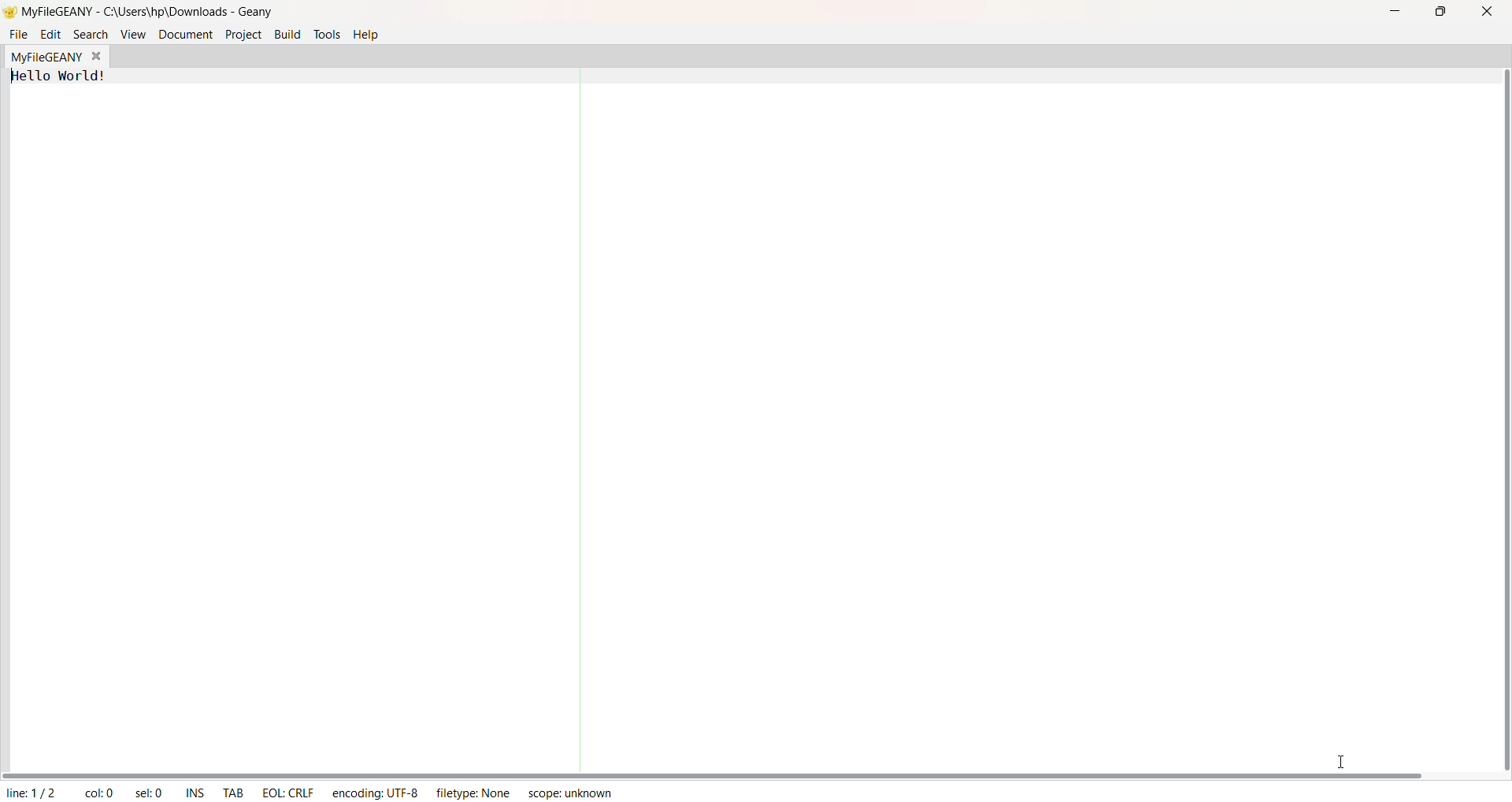 The image size is (1512, 802). Describe the element at coordinates (47, 57) in the screenshot. I see `MyFileGeany` at that location.